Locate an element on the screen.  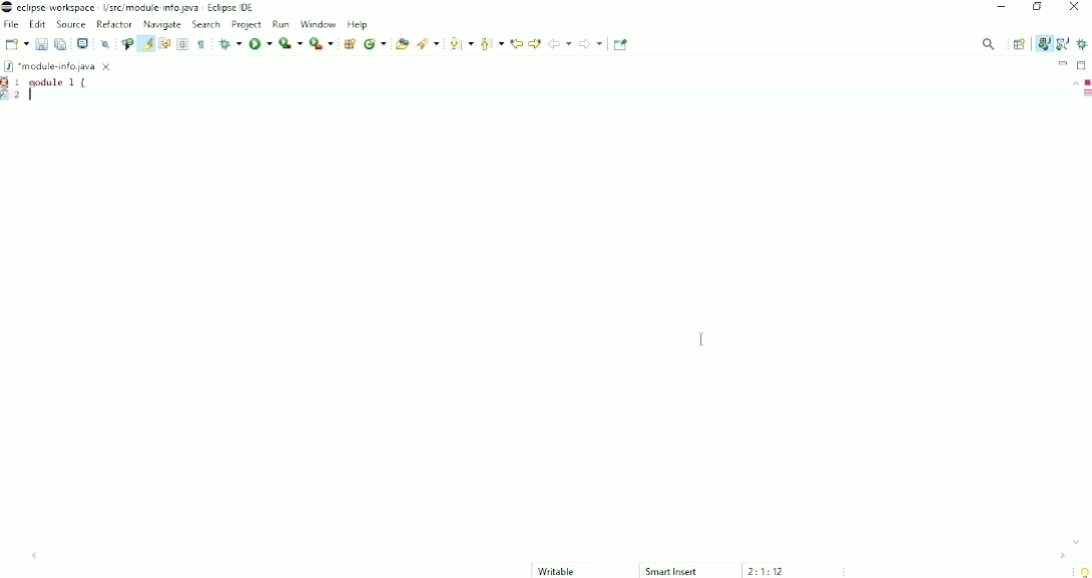
Restore down is located at coordinates (1038, 9).